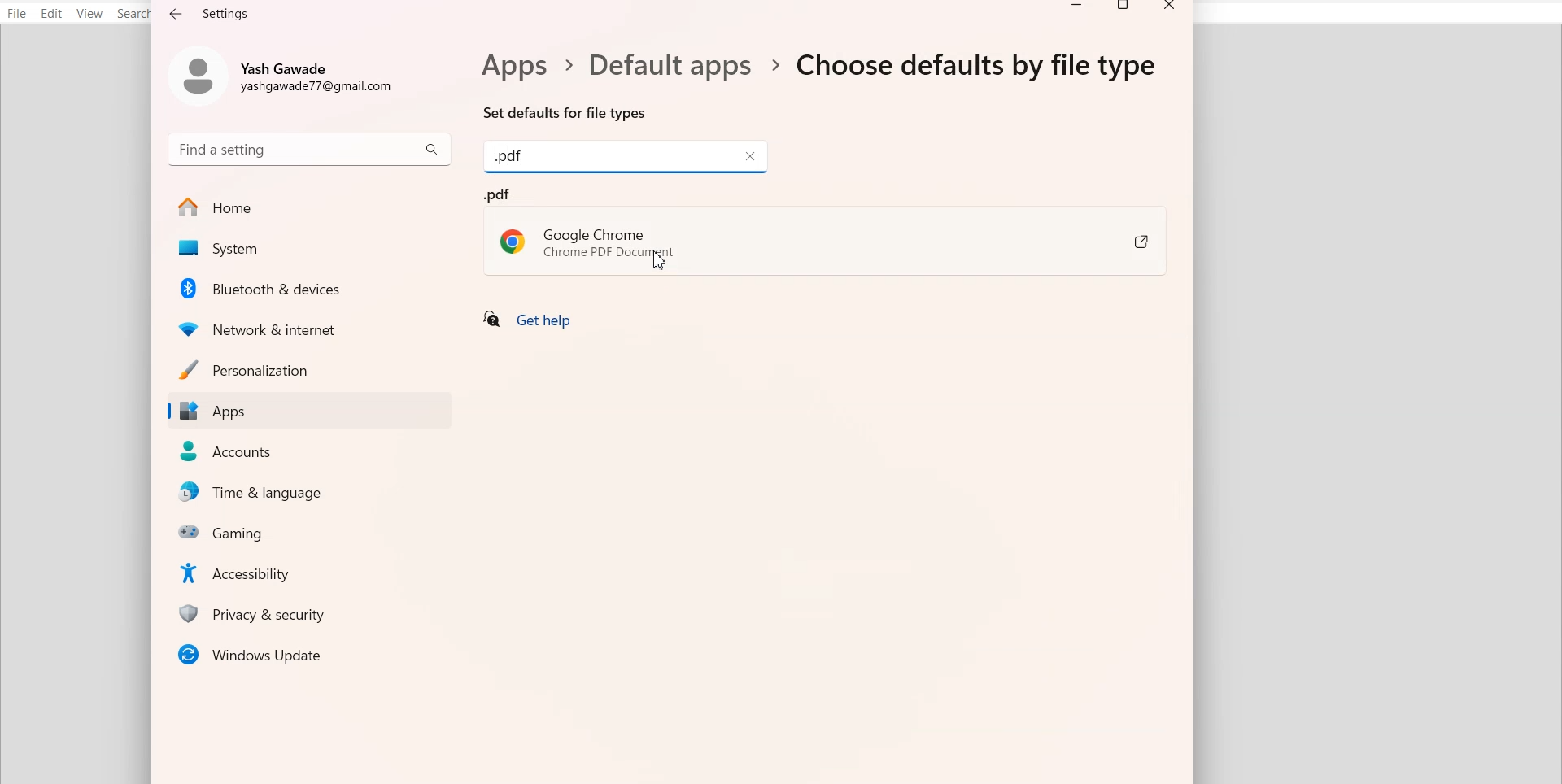 This screenshot has width=1562, height=784. What do you see at coordinates (314, 613) in the screenshot?
I see `Privacy & security` at bounding box center [314, 613].